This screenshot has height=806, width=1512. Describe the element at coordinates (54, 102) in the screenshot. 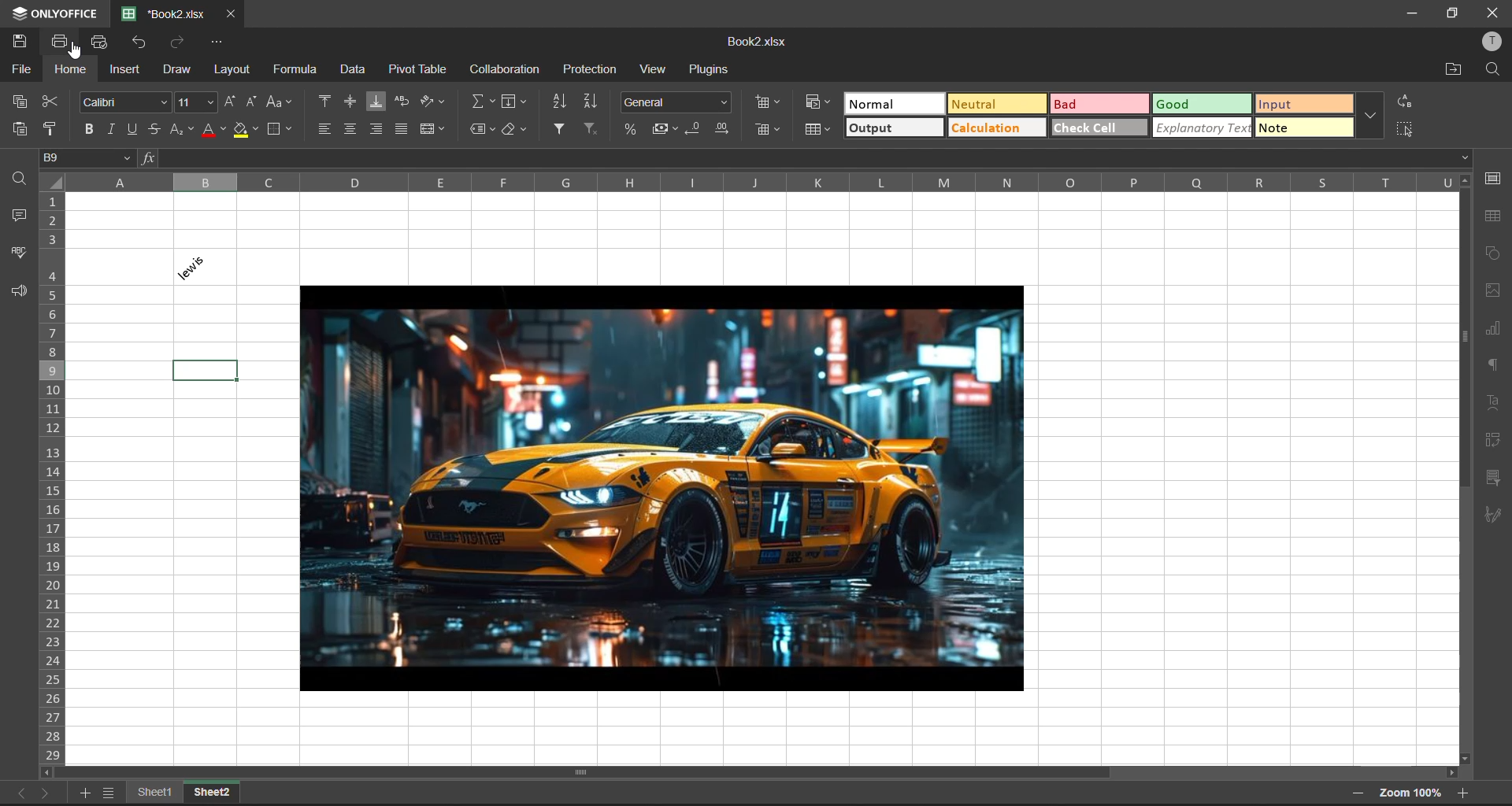

I see `cut` at that location.